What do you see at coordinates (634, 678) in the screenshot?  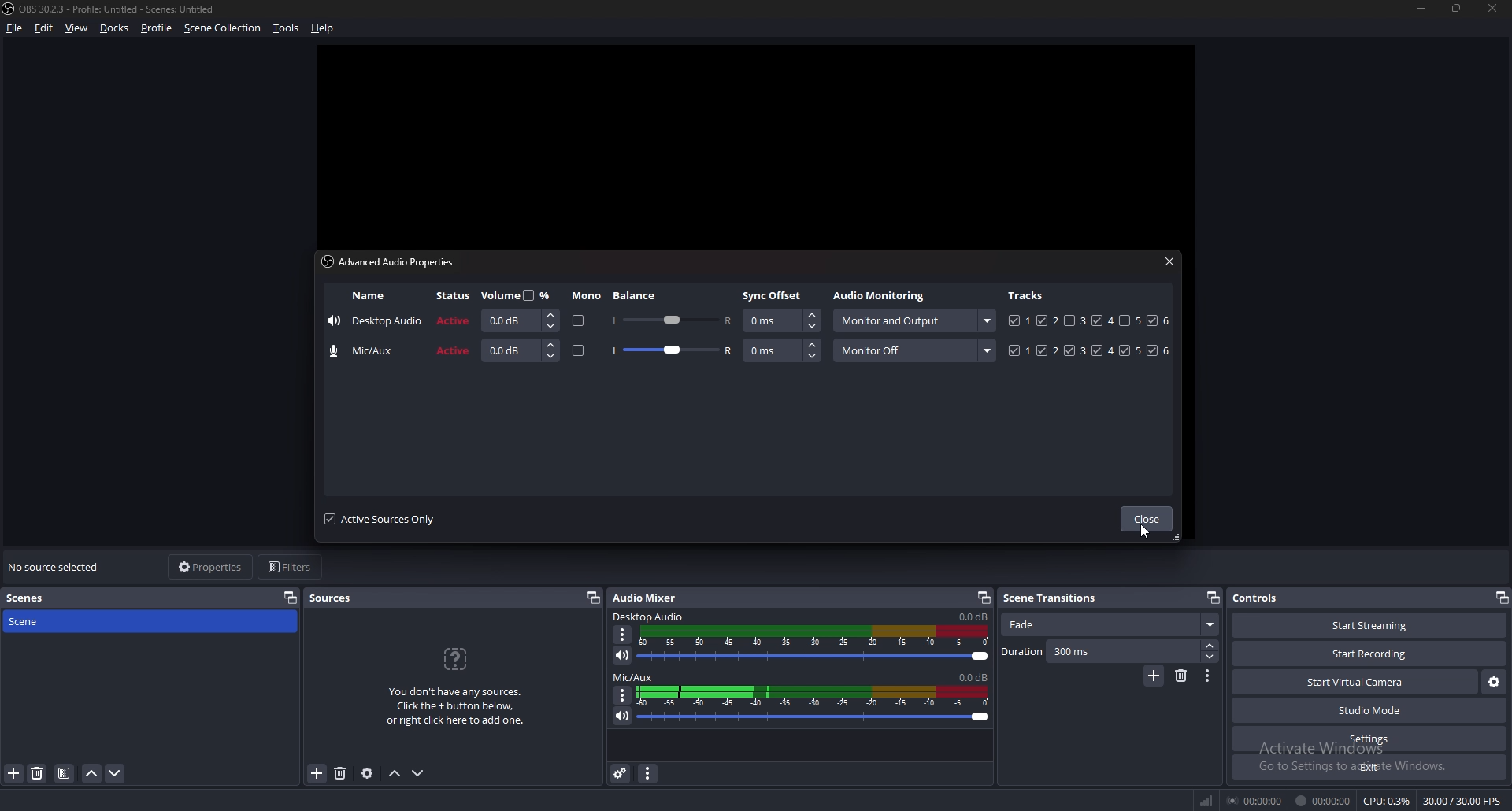 I see `mic/aux` at bounding box center [634, 678].